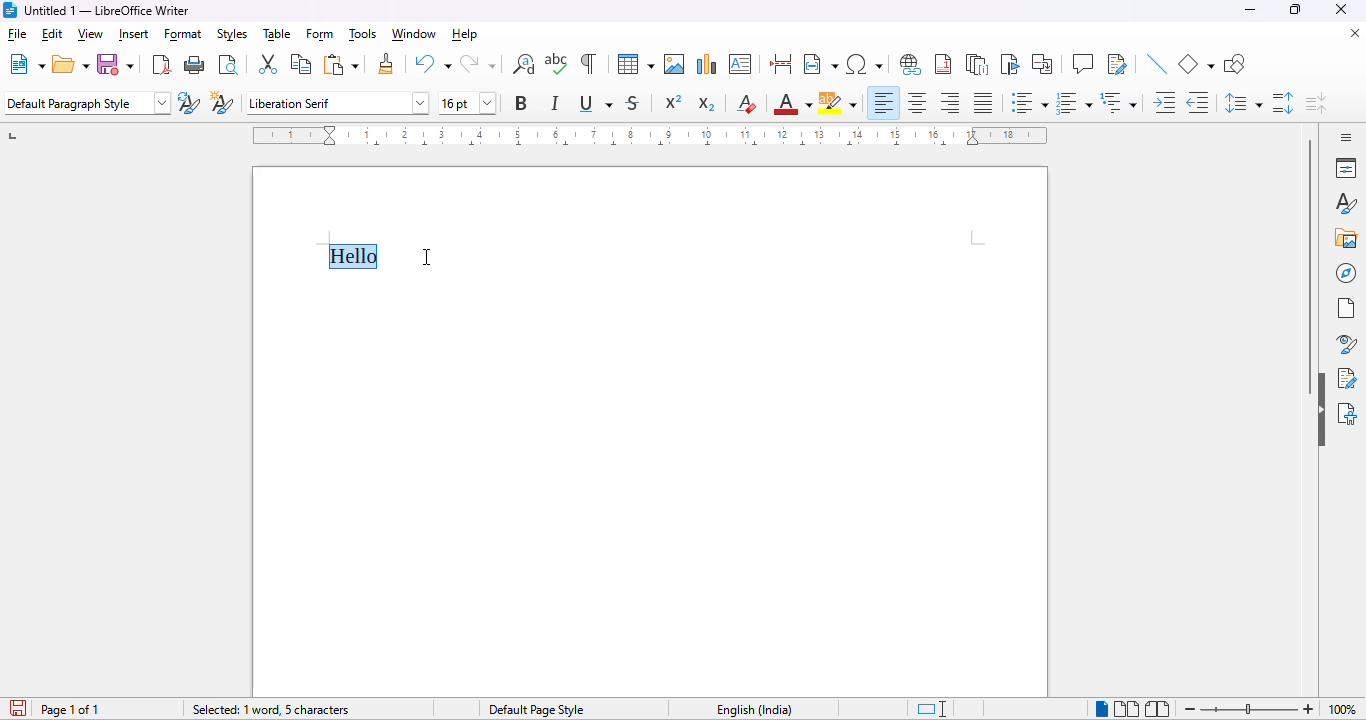 The width and height of the screenshot is (1366, 720). I want to click on page, so click(1346, 309).